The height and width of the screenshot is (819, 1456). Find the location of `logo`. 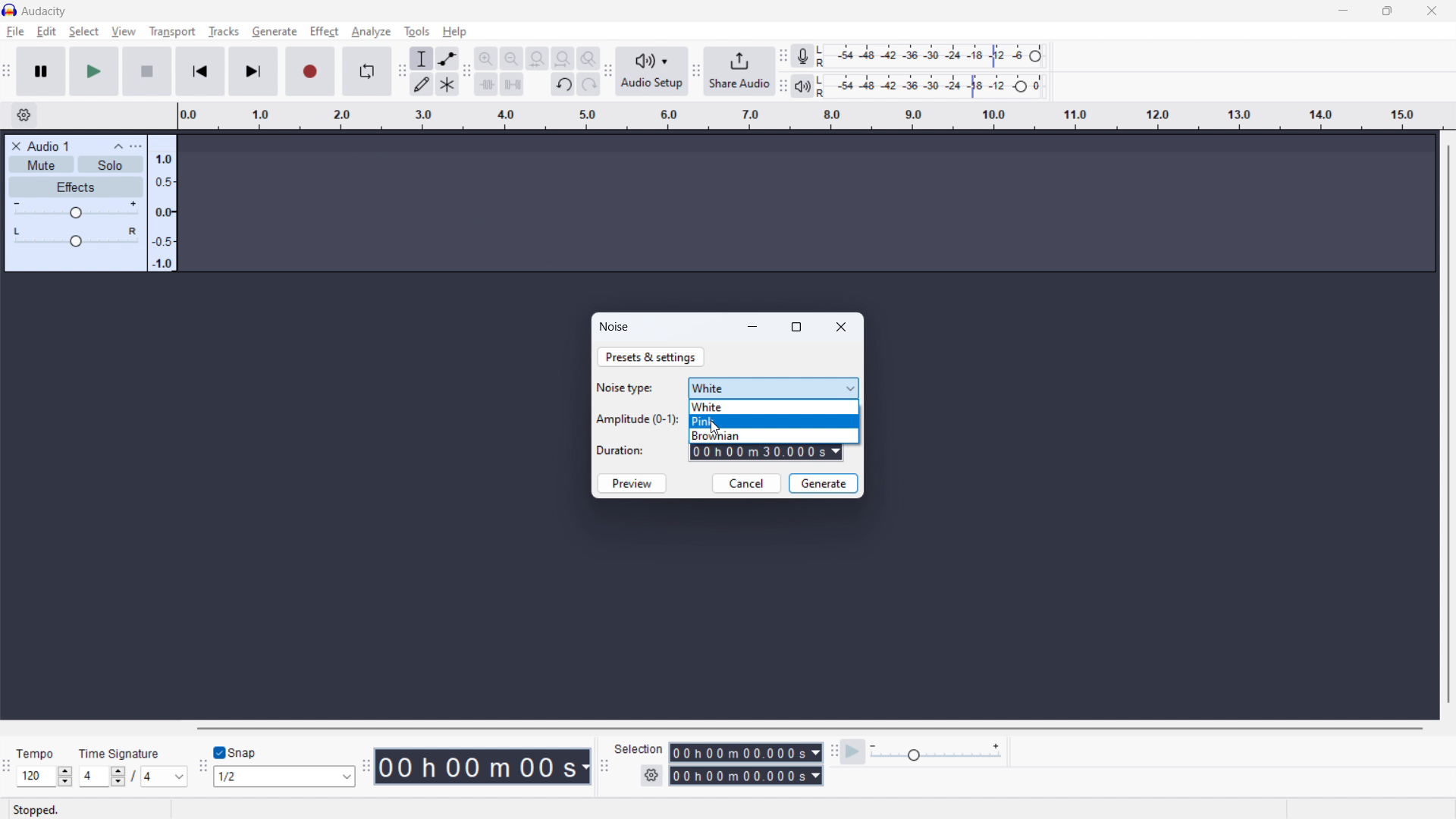

logo is located at coordinates (9, 11).